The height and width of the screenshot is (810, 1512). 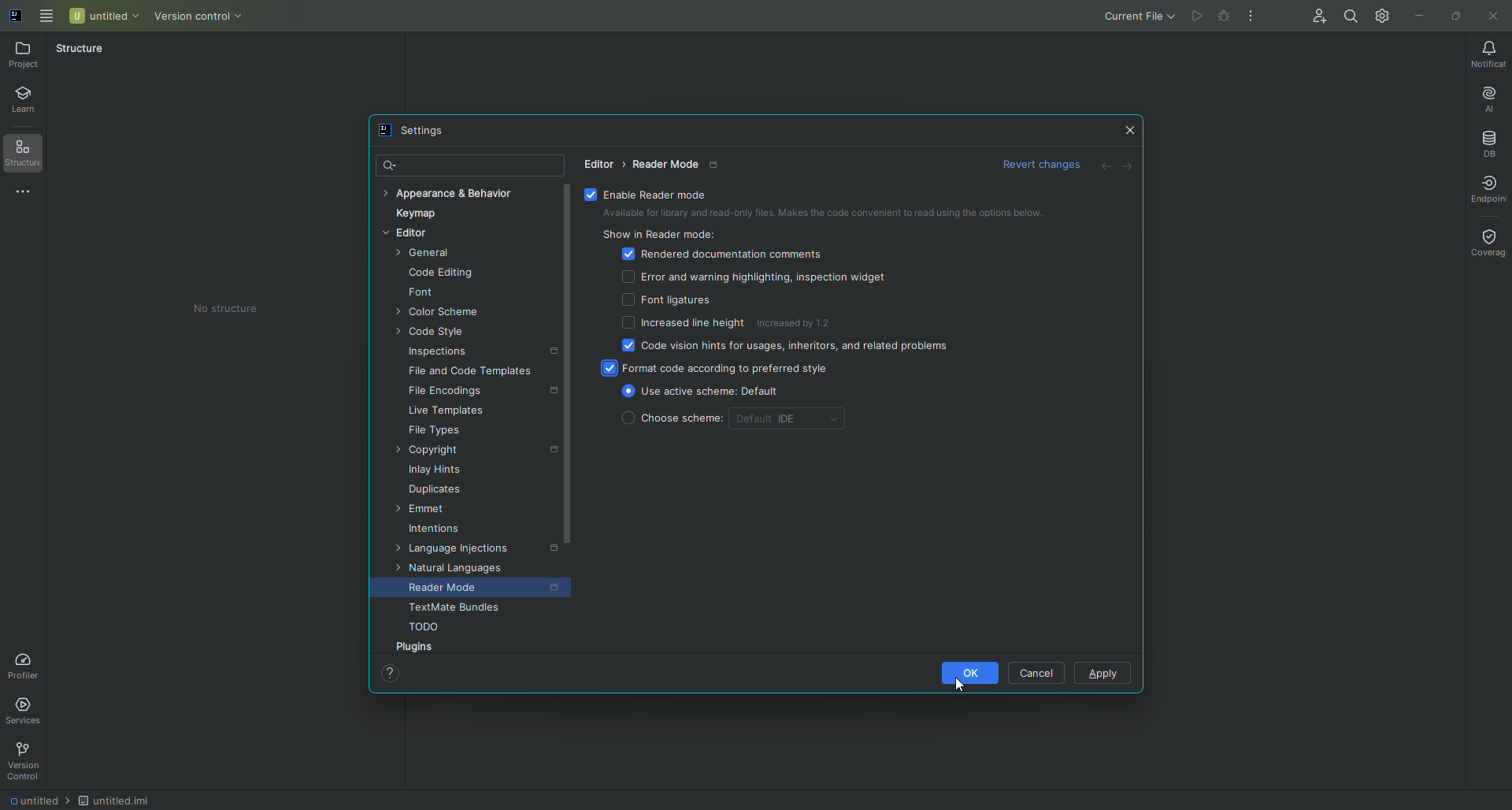 I want to click on Language Injections, so click(x=469, y=551).